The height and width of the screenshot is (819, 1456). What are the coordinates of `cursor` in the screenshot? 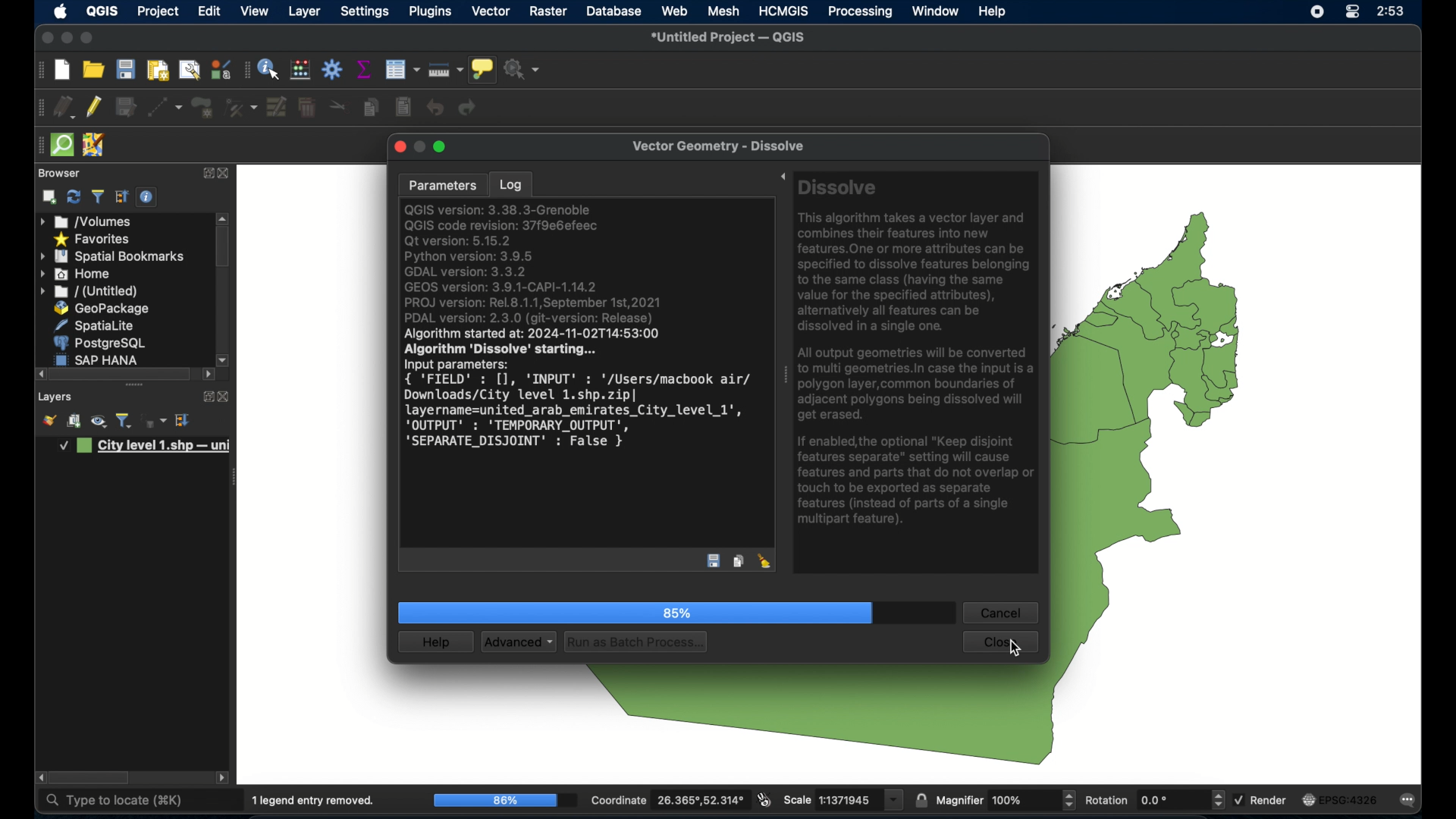 It's located at (1015, 646).